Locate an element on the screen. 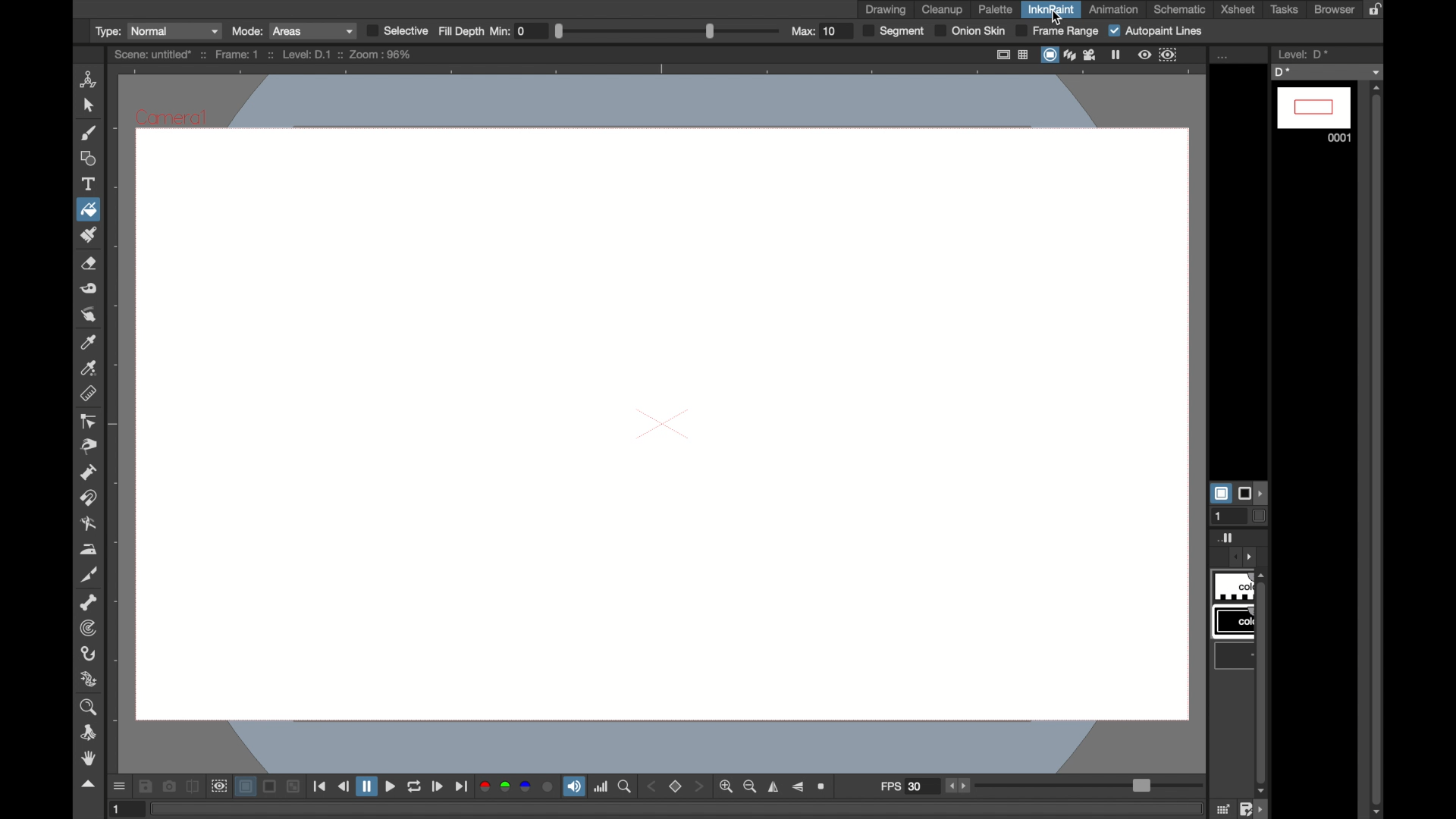  snapshot is located at coordinates (169, 786).